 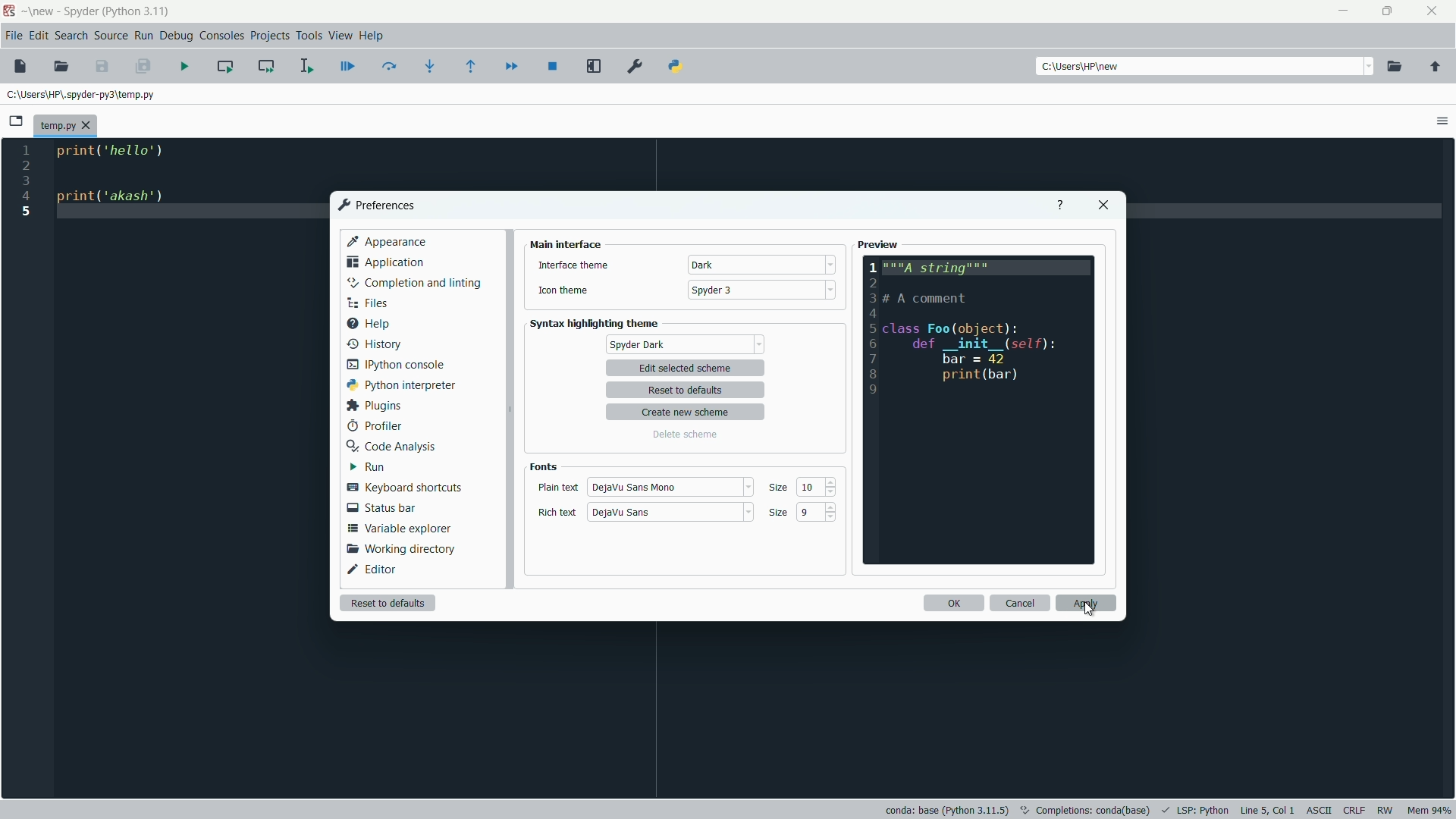 I want to click on help, so click(x=1059, y=206).